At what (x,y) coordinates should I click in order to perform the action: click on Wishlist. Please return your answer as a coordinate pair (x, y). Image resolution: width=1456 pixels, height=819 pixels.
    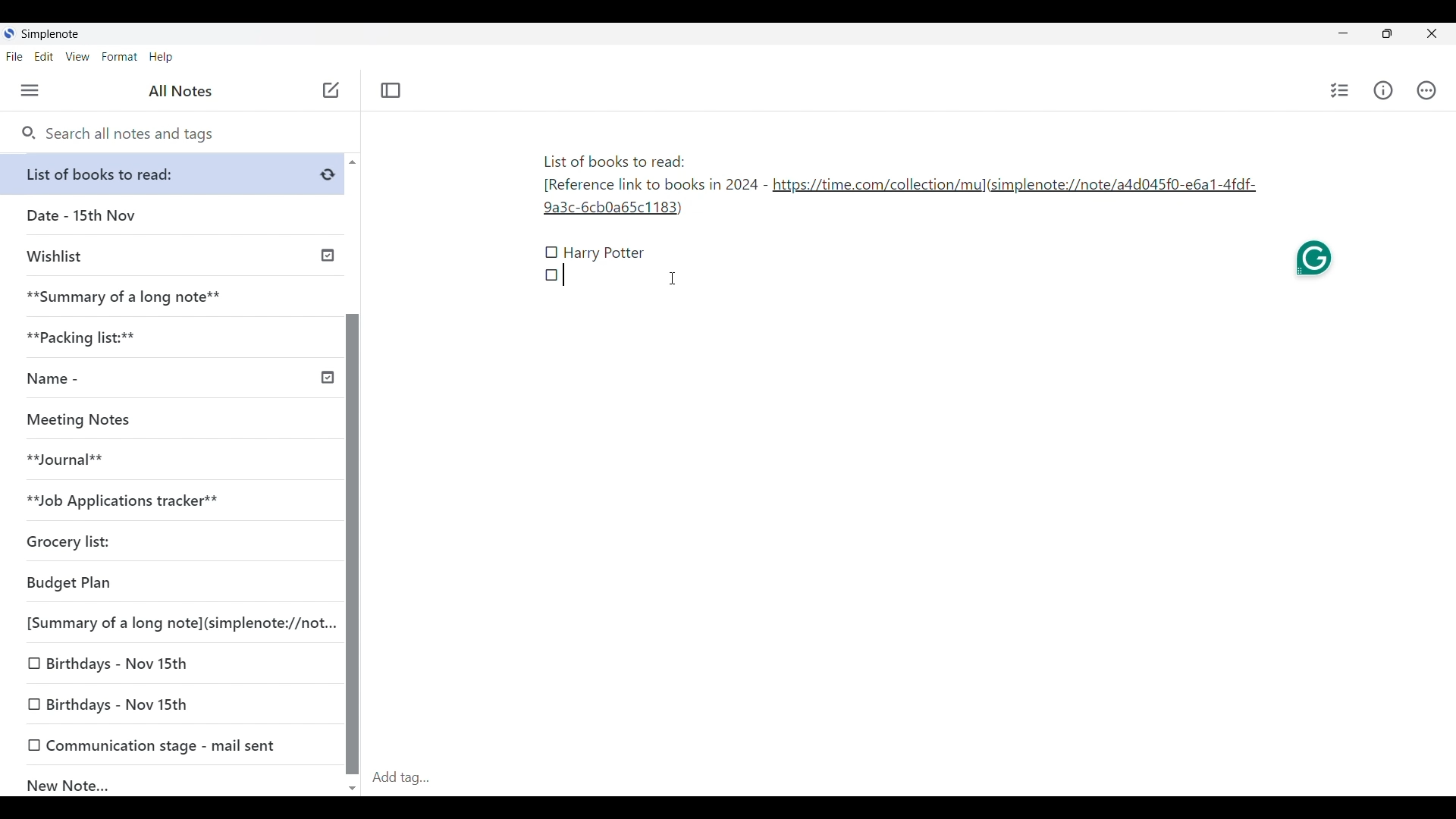
    Looking at the image, I should click on (176, 254).